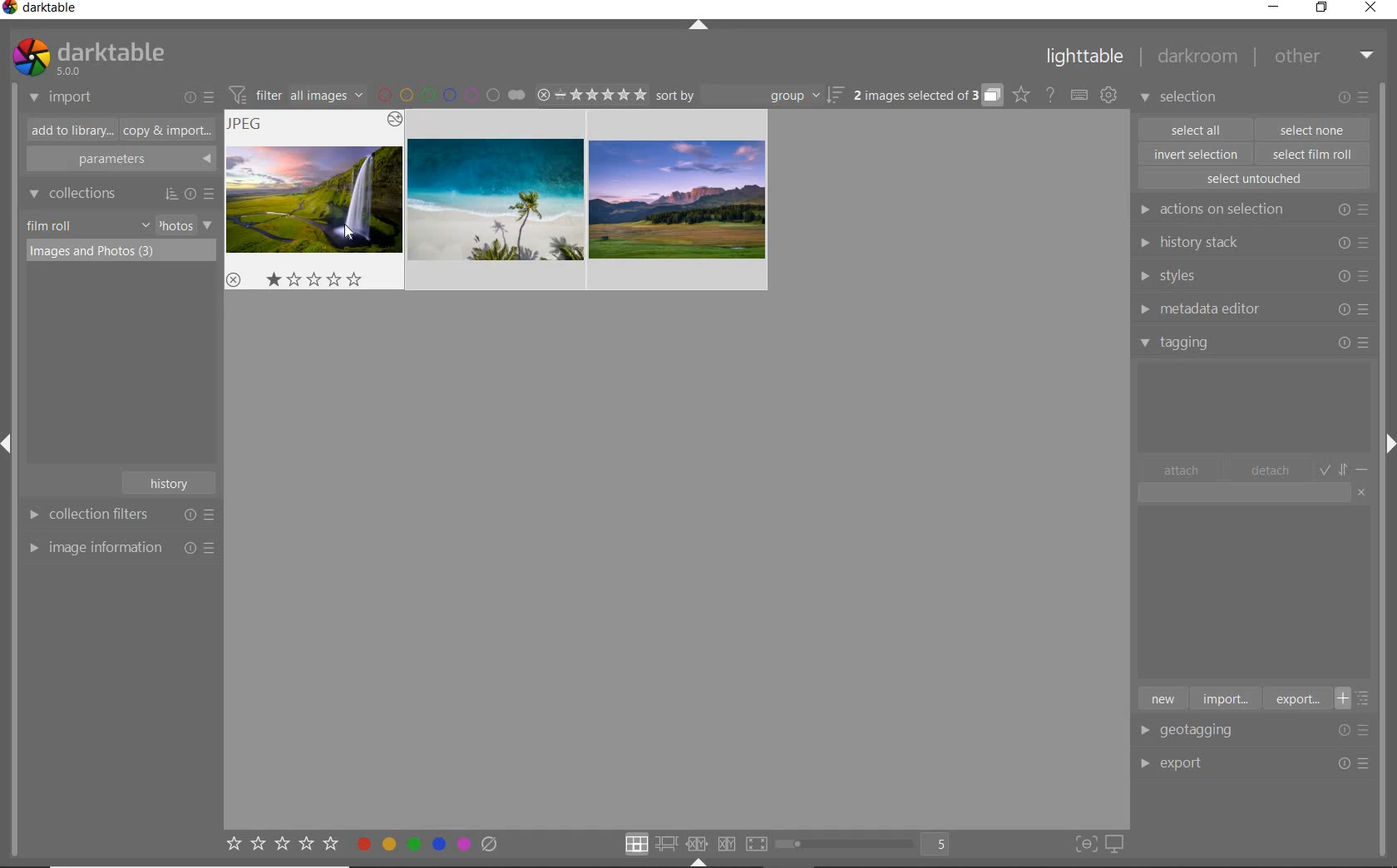  What do you see at coordinates (67, 131) in the screenshot?
I see `add to library` at bounding box center [67, 131].